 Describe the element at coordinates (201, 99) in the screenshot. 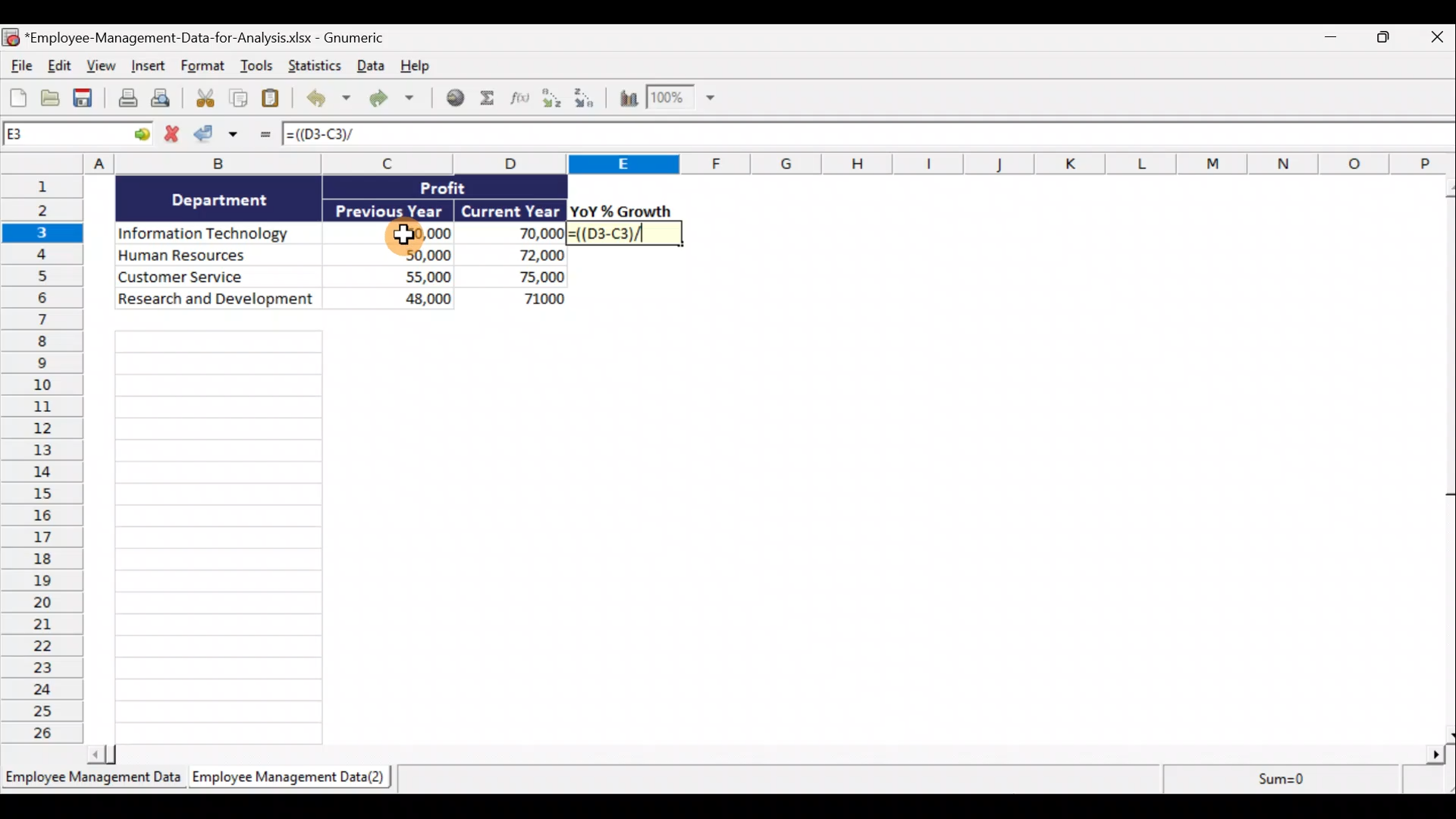

I see `Cut selection` at that location.